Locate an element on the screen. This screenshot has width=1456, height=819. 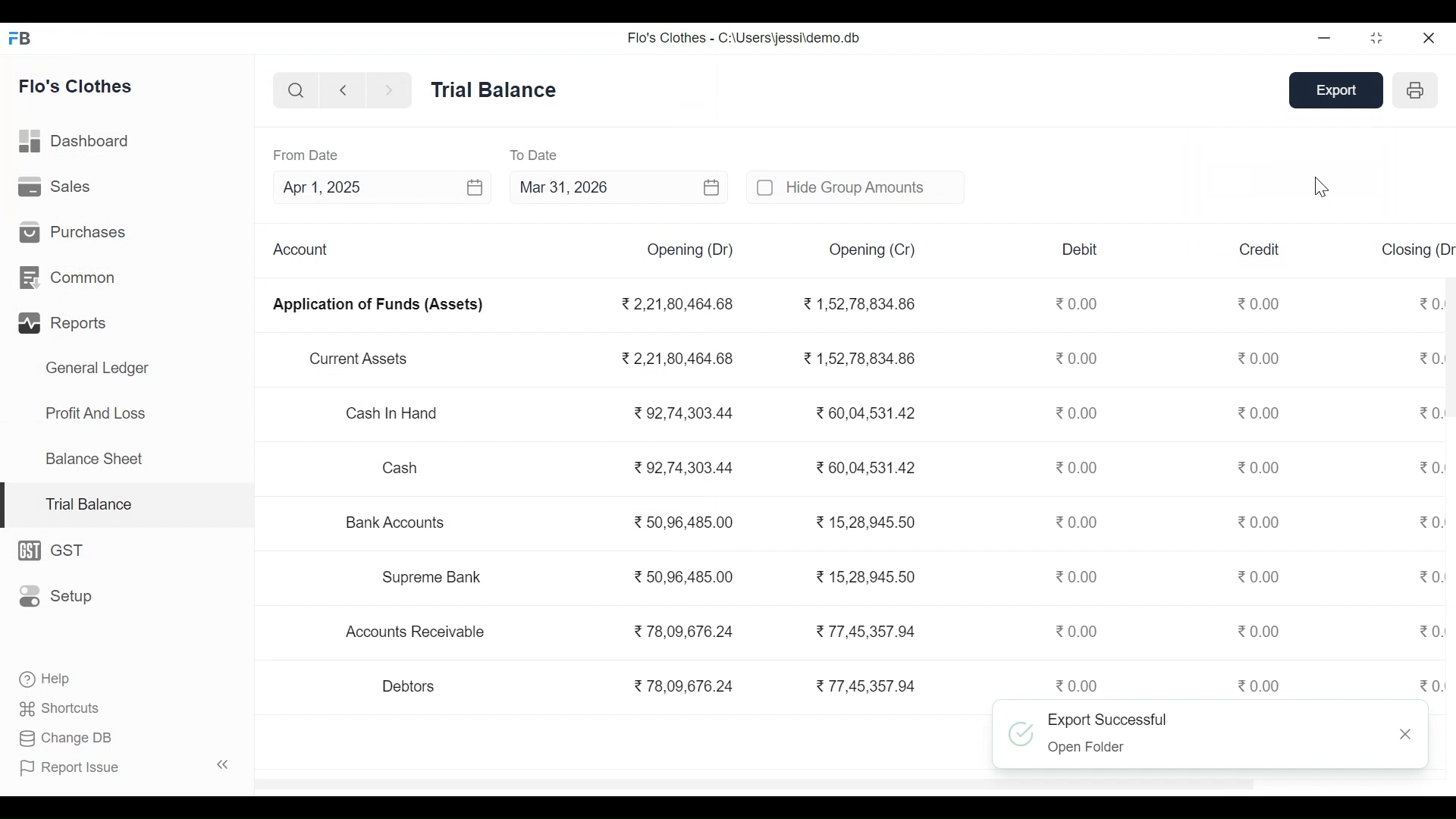
GST is located at coordinates (58, 551).